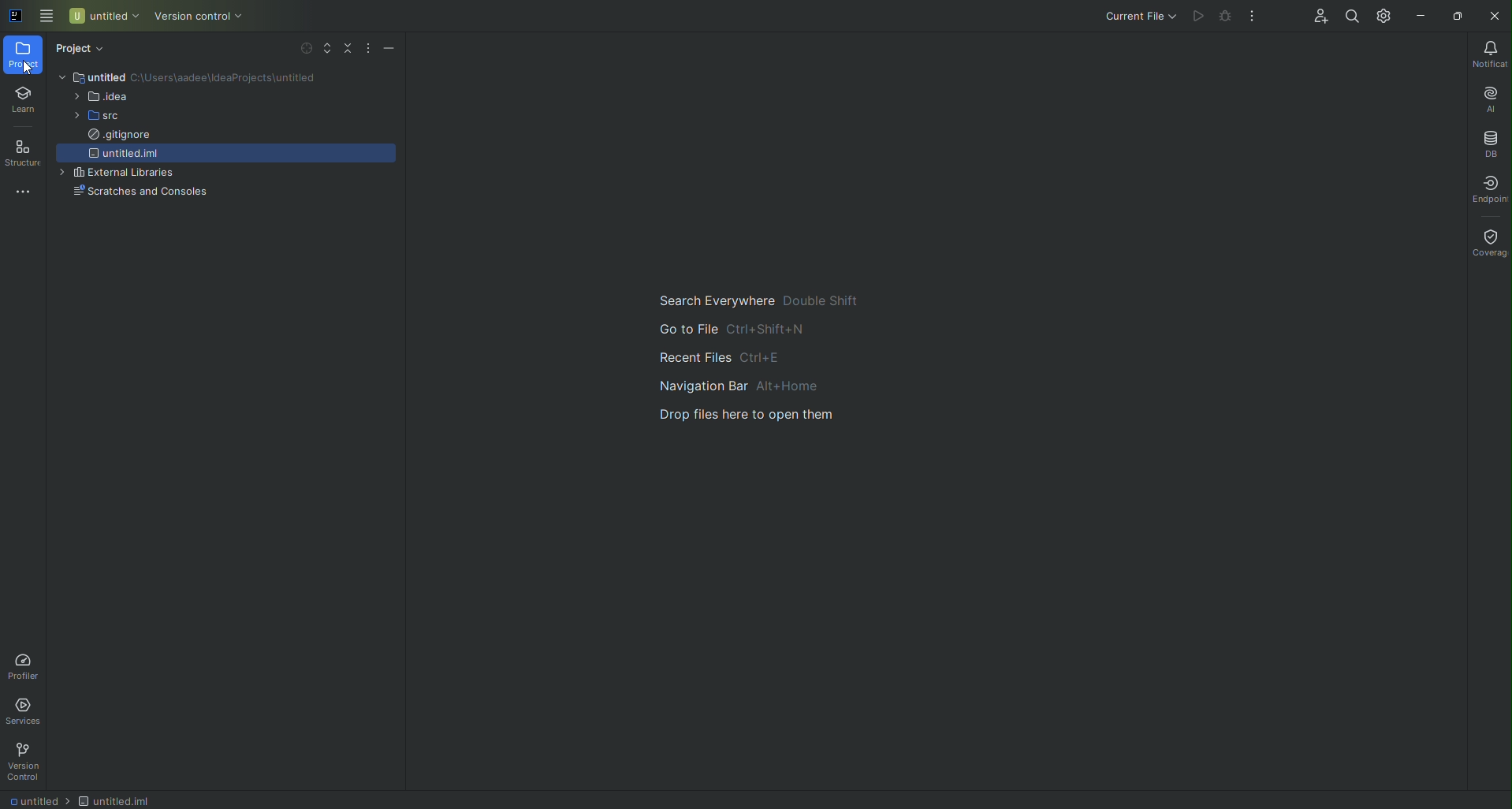  What do you see at coordinates (1492, 142) in the screenshot?
I see `Database` at bounding box center [1492, 142].